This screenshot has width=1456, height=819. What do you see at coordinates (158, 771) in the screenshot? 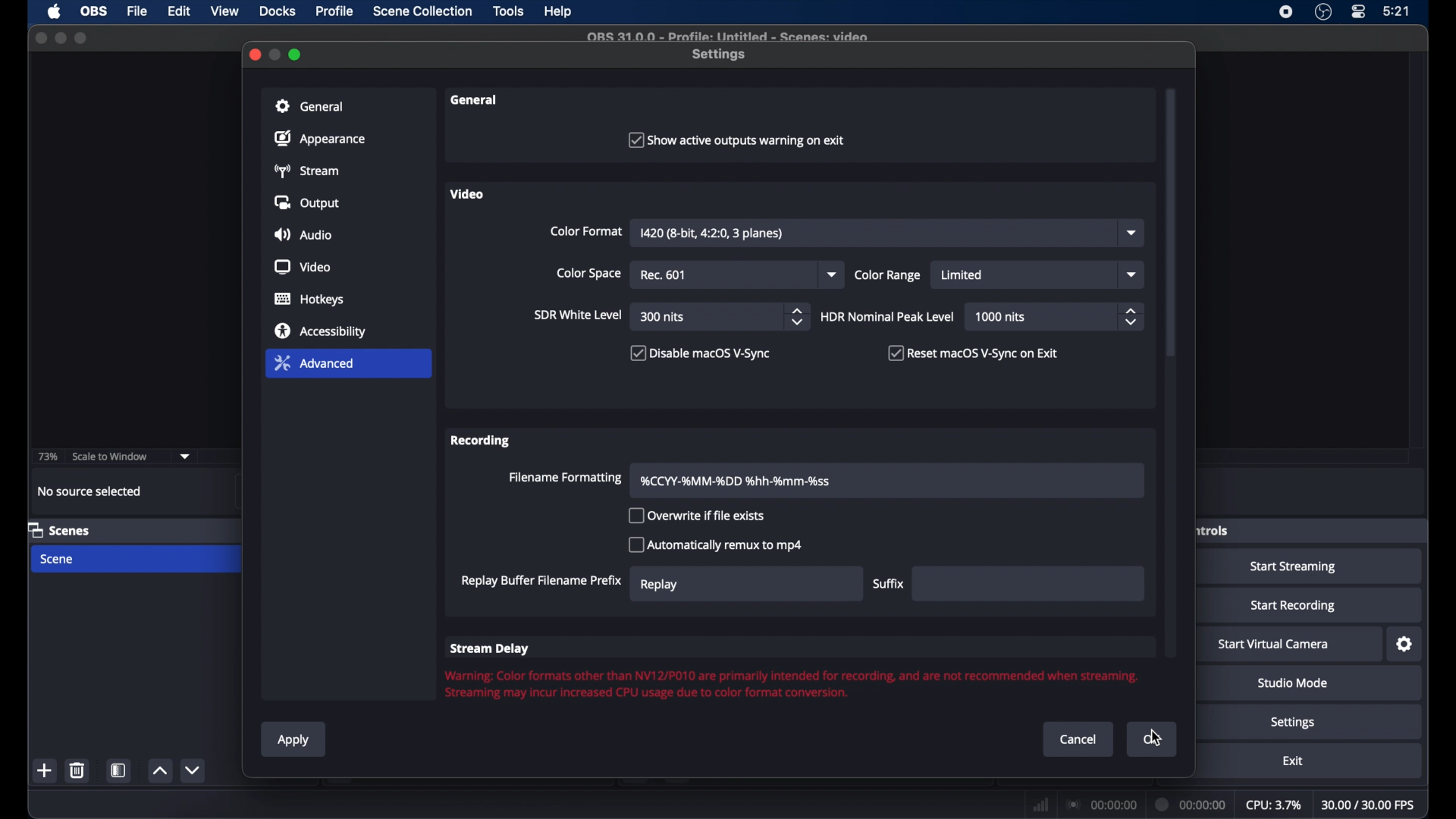
I see `increment` at bounding box center [158, 771].